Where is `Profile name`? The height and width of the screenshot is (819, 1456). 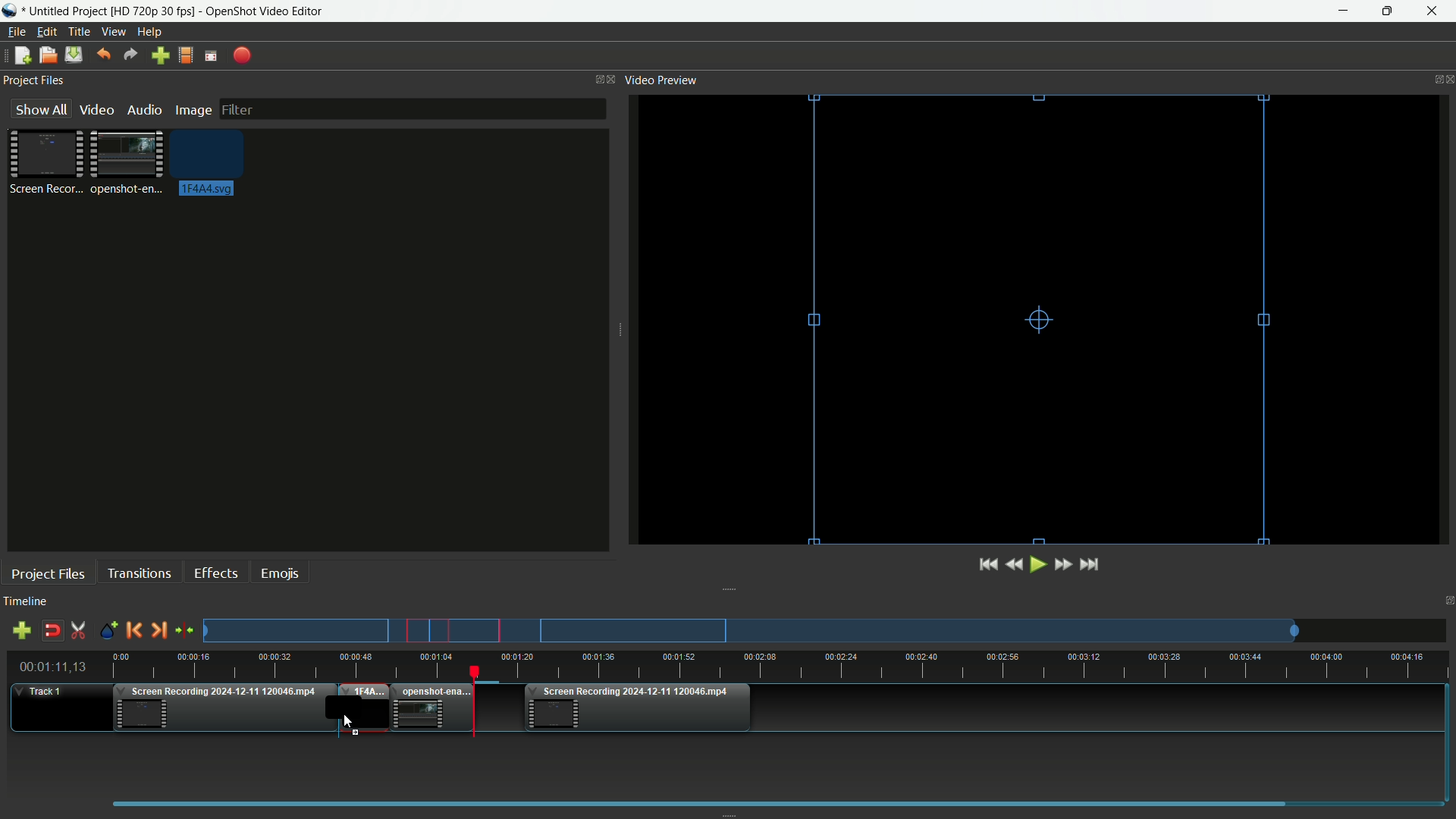
Profile name is located at coordinates (154, 12).